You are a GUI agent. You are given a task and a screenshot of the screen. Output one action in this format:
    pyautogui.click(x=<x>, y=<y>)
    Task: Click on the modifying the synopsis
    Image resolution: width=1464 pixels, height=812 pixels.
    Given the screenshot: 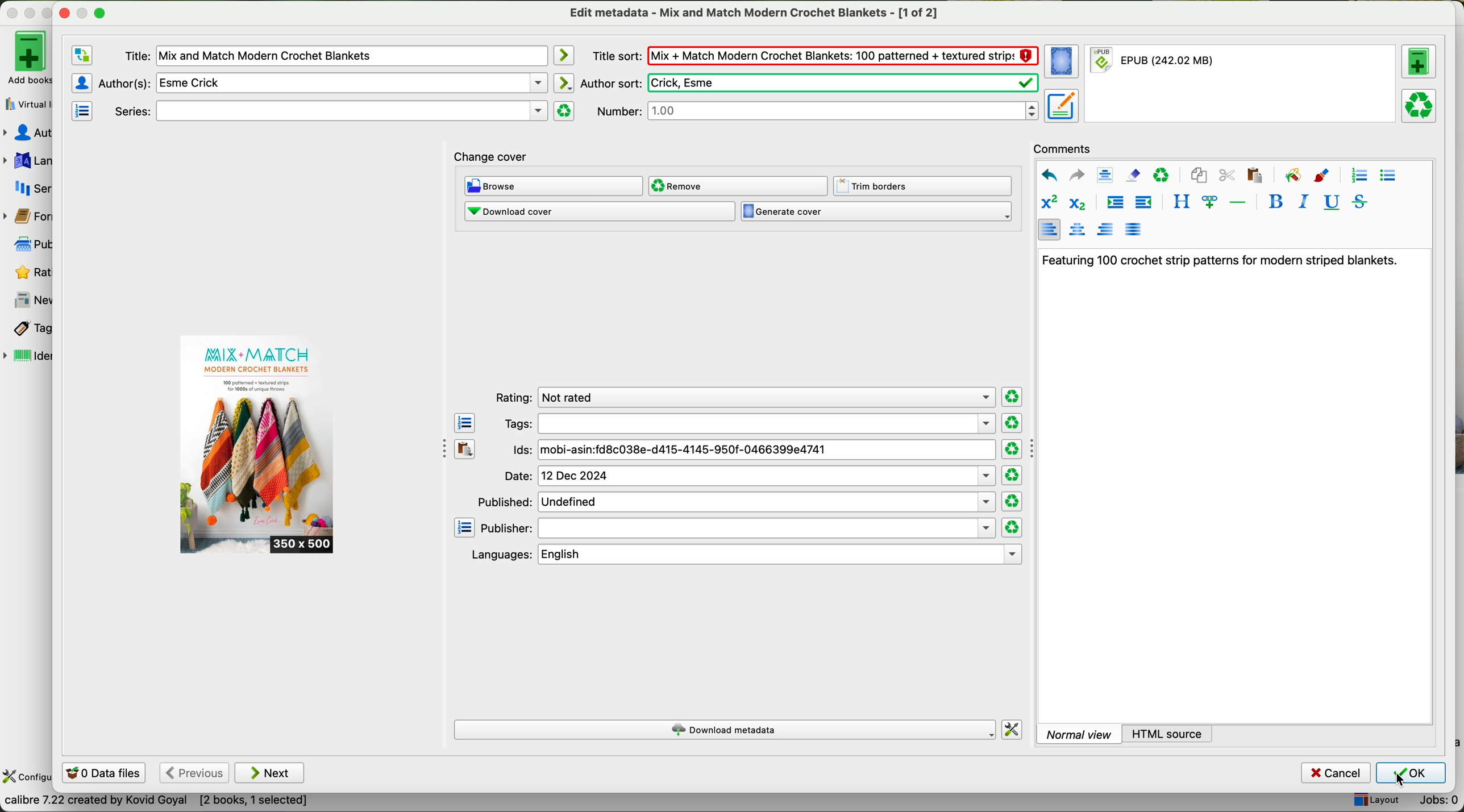 What is the action you would take?
    pyautogui.click(x=1218, y=260)
    